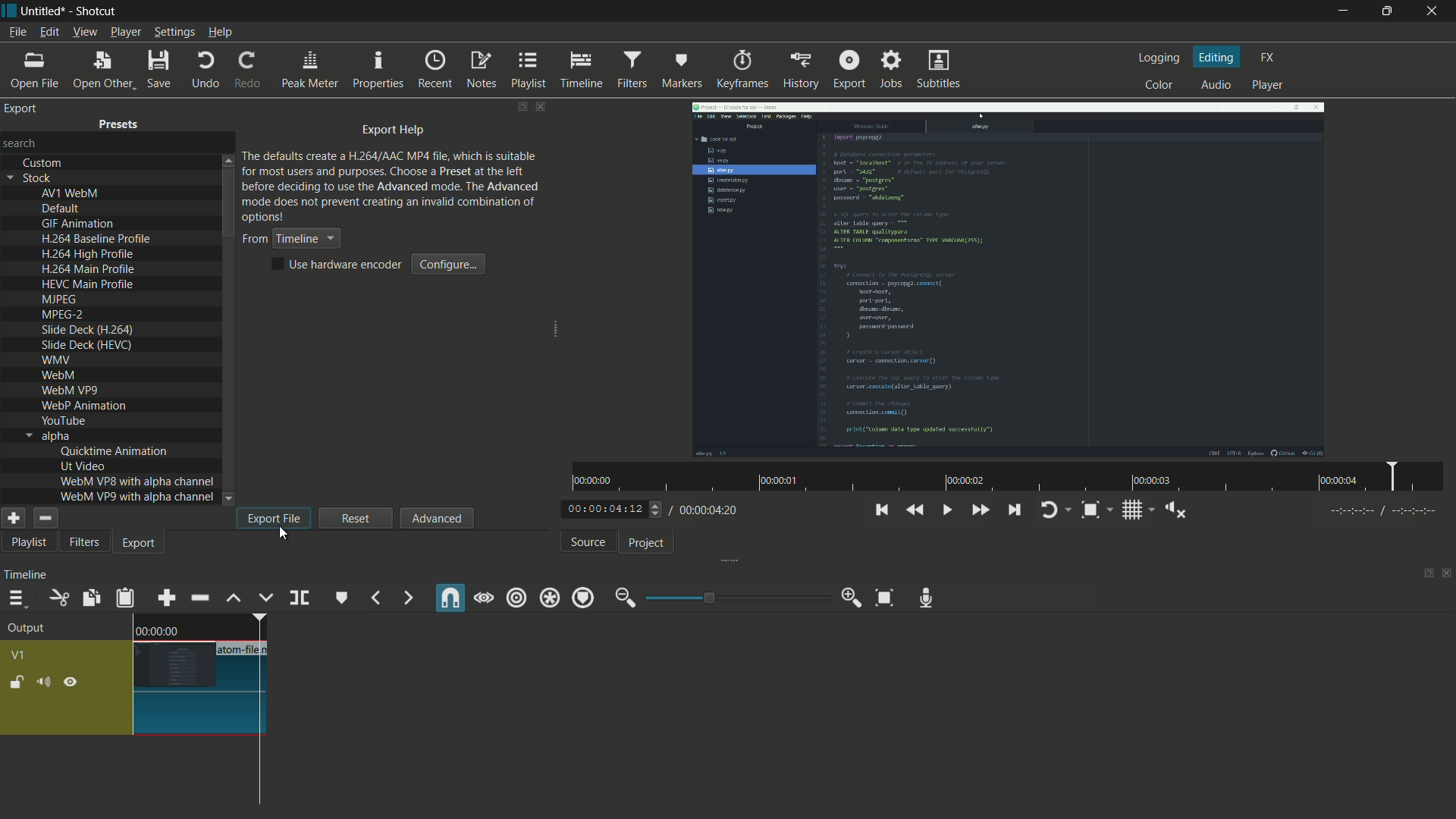 The height and width of the screenshot is (819, 1456). I want to click on configure, so click(450, 264).